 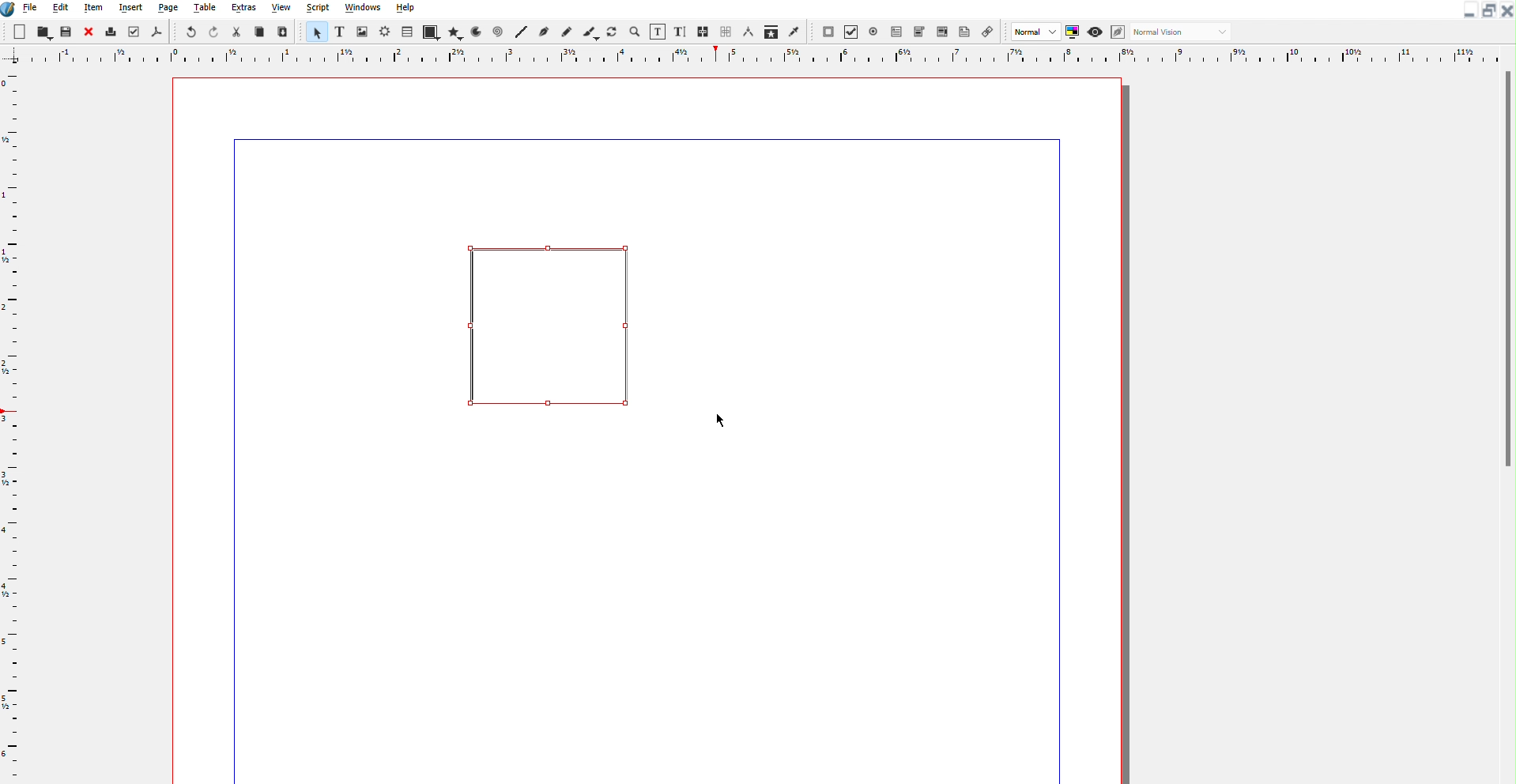 What do you see at coordinates (1182, 32) in the screenshot?
I see `Normal Vision` at bounding box center [1182, 32].